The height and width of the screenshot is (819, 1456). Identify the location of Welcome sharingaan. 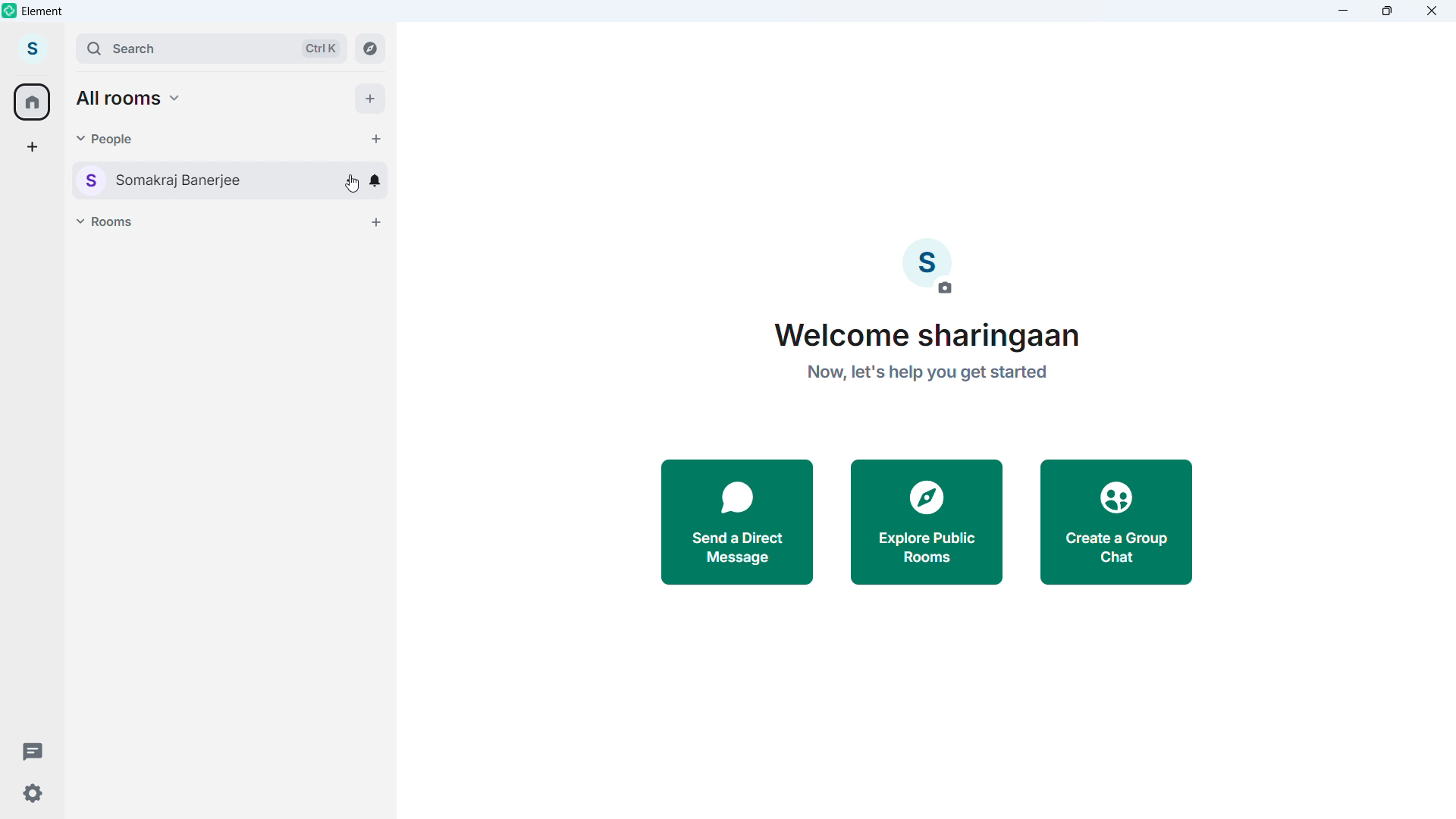
(933, 337).